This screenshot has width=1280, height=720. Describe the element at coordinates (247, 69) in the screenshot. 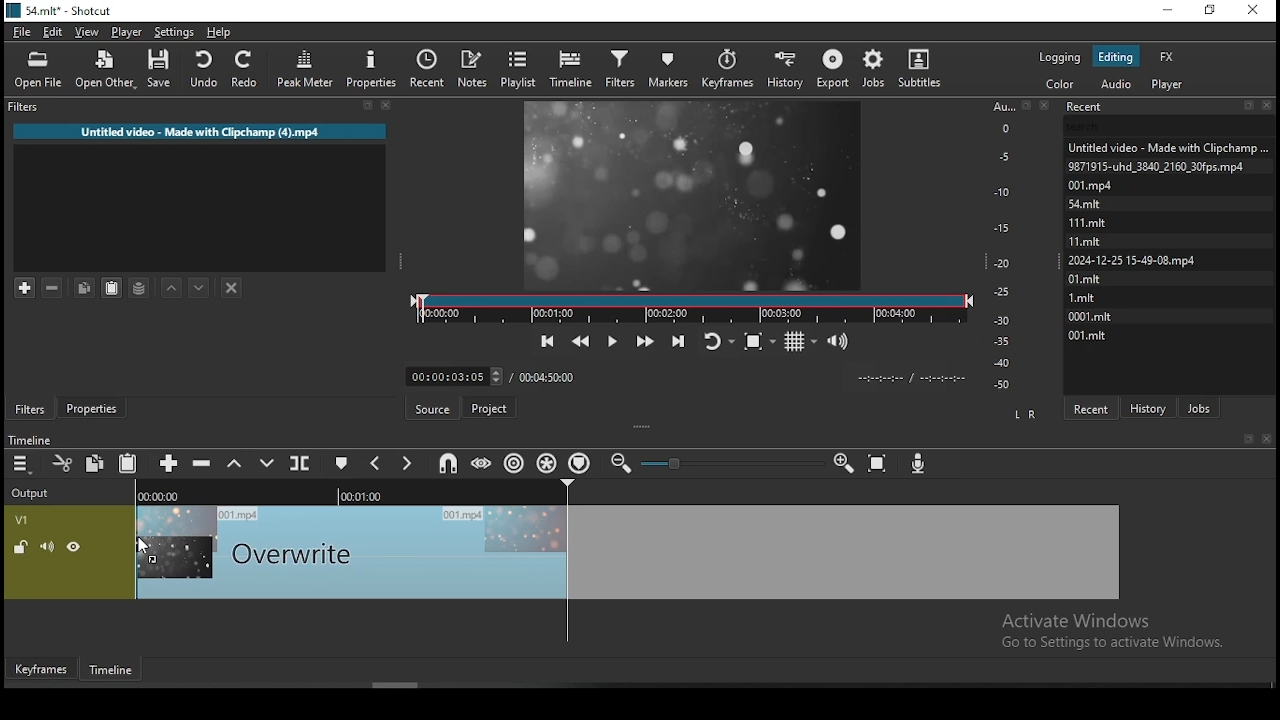

I see `redo` at that location.